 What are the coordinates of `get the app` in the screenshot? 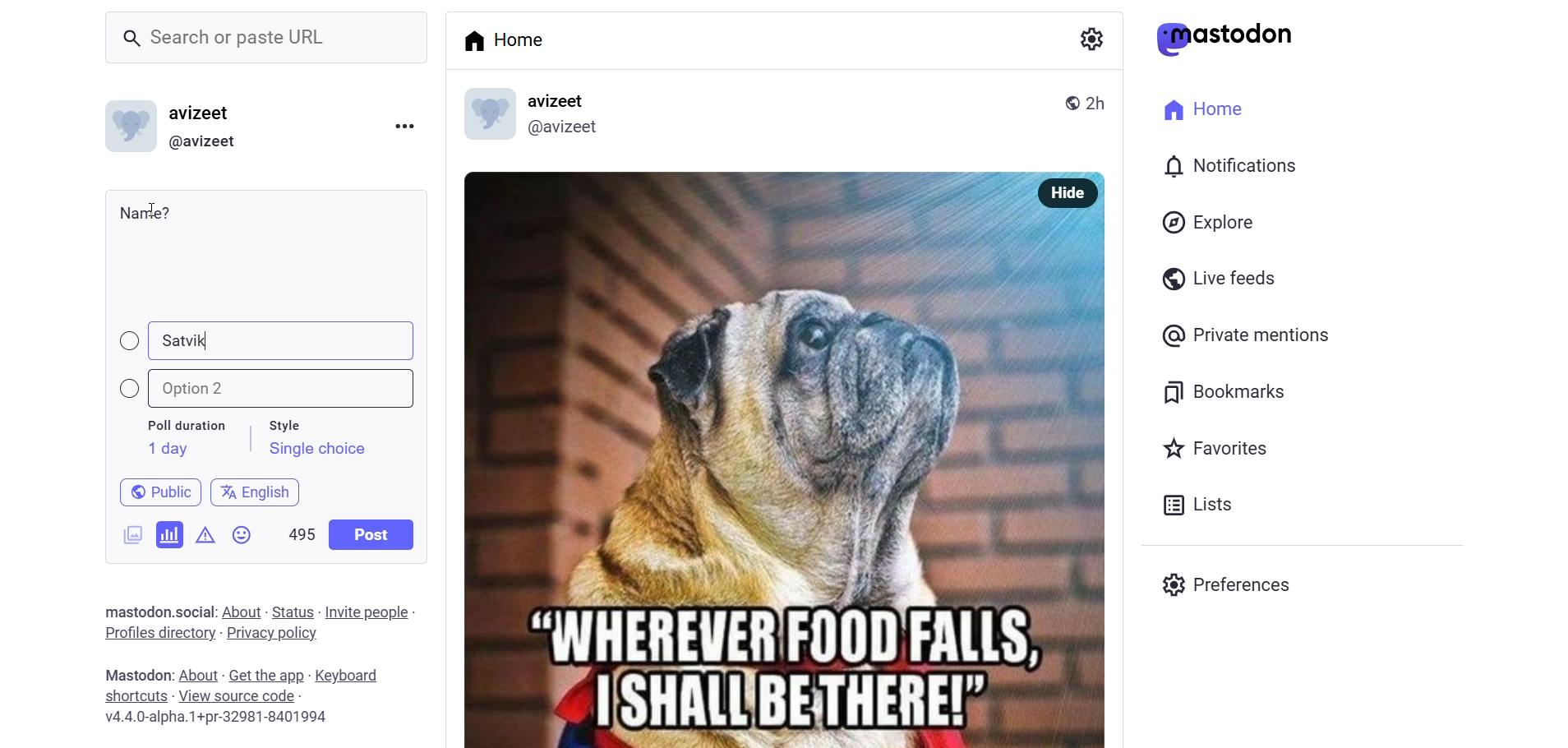 It's located at (267, 674).